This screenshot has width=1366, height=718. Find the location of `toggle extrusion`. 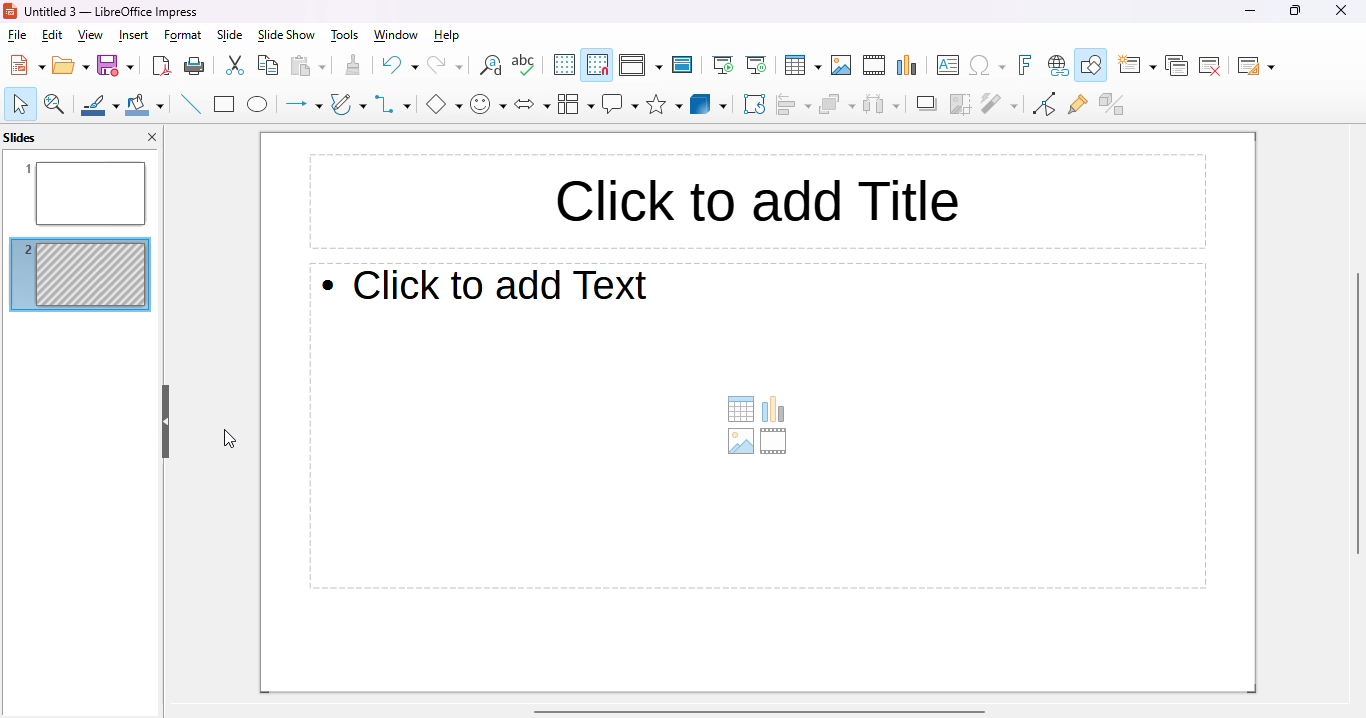

toggle extrusion is located at coordinates (1111, 104).